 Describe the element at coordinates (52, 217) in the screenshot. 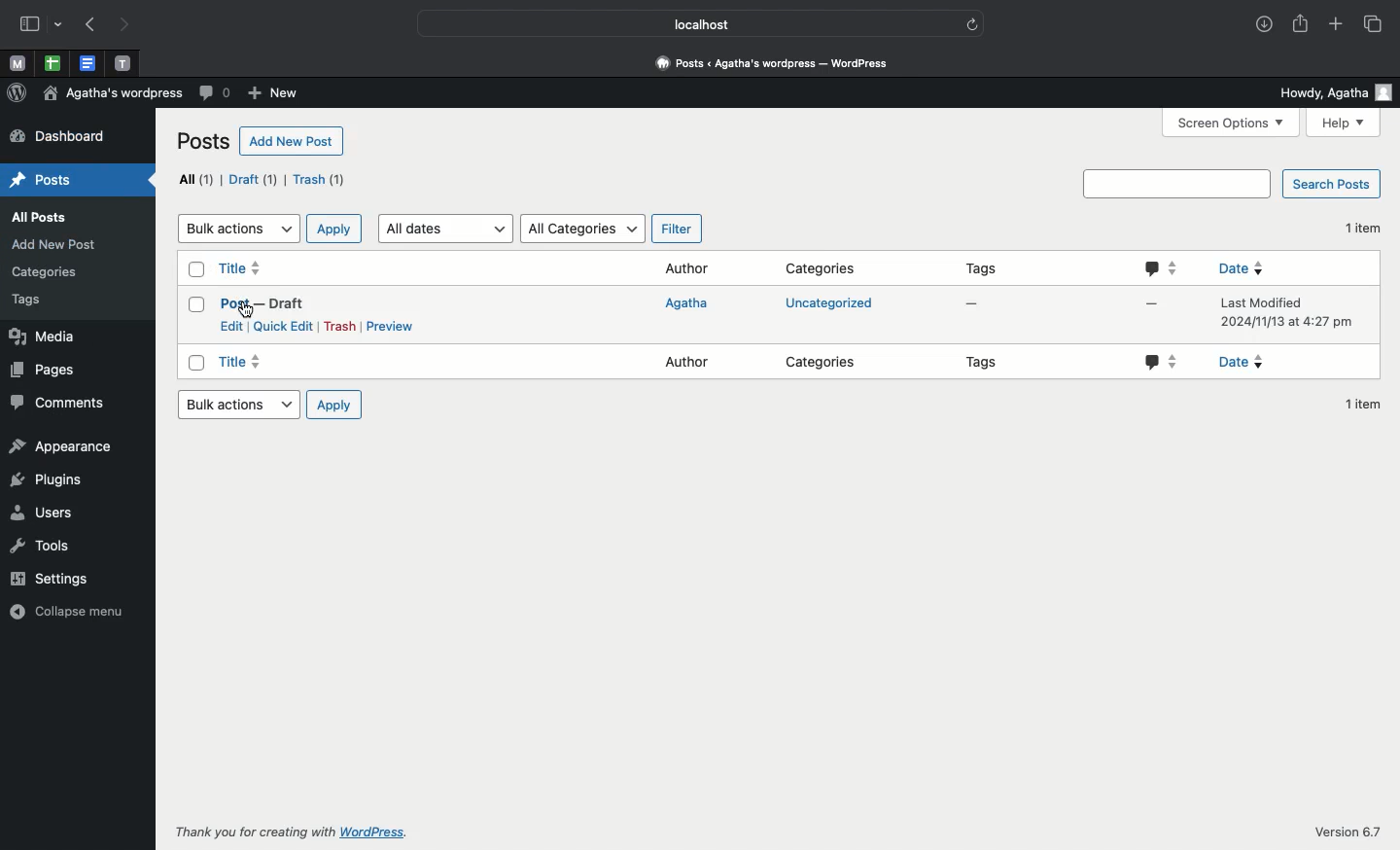

I see `All posts` at that location.